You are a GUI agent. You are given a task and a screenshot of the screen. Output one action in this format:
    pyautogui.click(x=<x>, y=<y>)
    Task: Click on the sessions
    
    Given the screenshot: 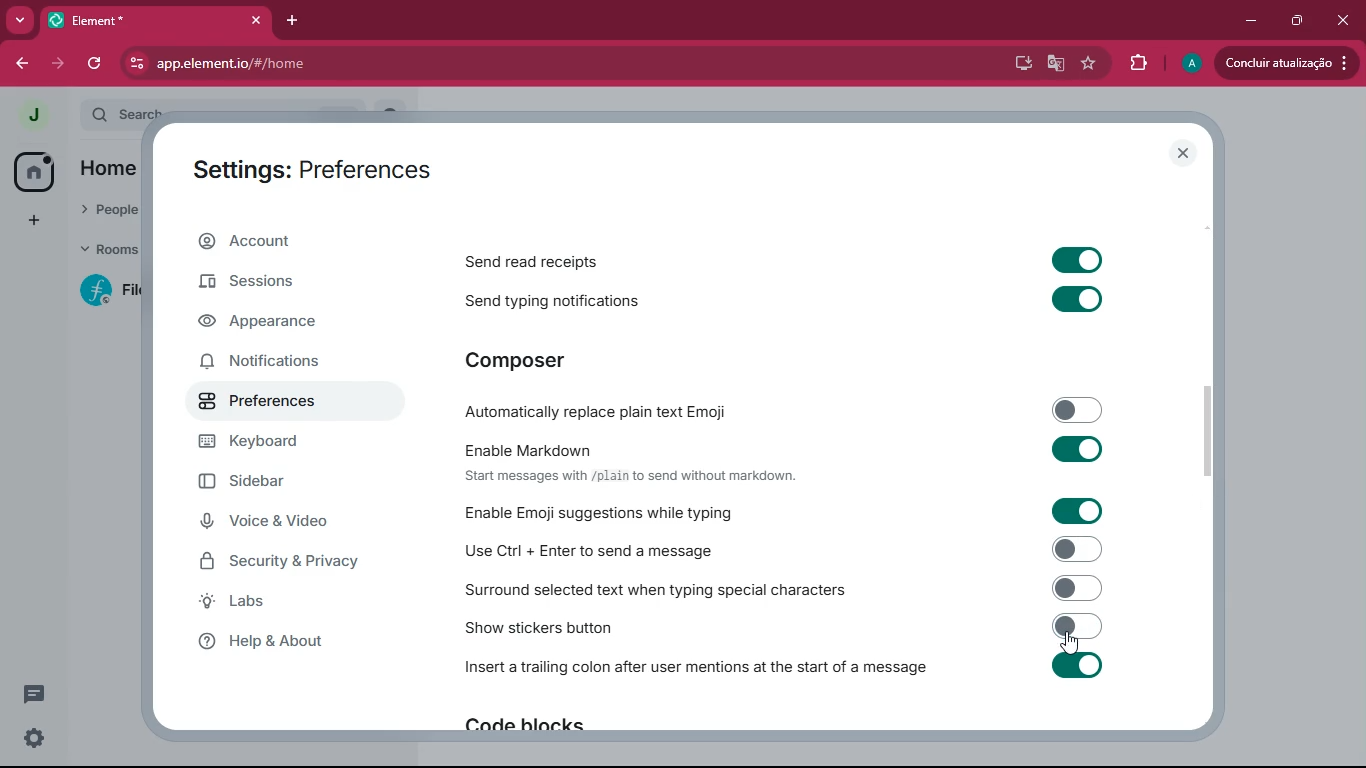 What is the action you would take?
    pyautogui.click(x=284, y=284)
    